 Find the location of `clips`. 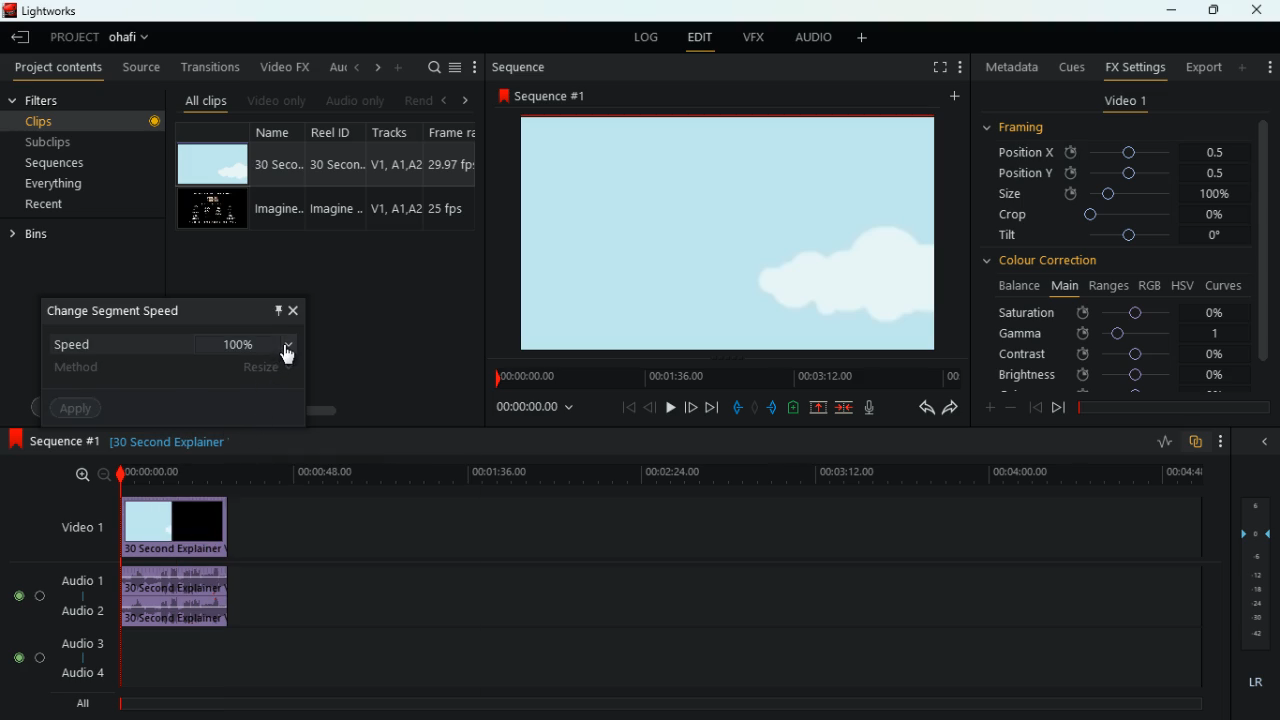

clips is located at coordinates (85, 121).